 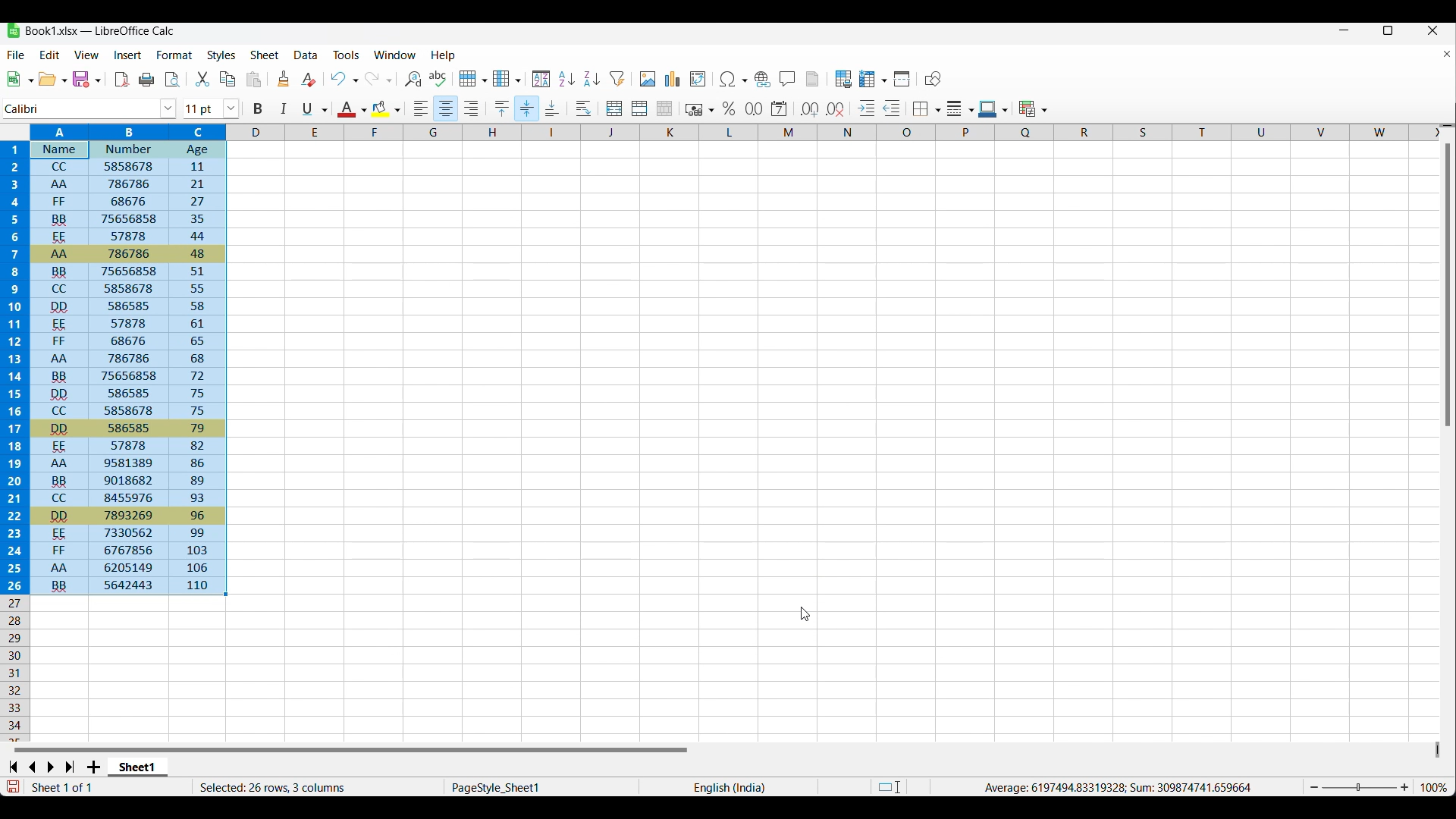 What do you see at coordinates (648, 78) in the screenshot?
I see `Insert image` at bounding box center [648, 78].